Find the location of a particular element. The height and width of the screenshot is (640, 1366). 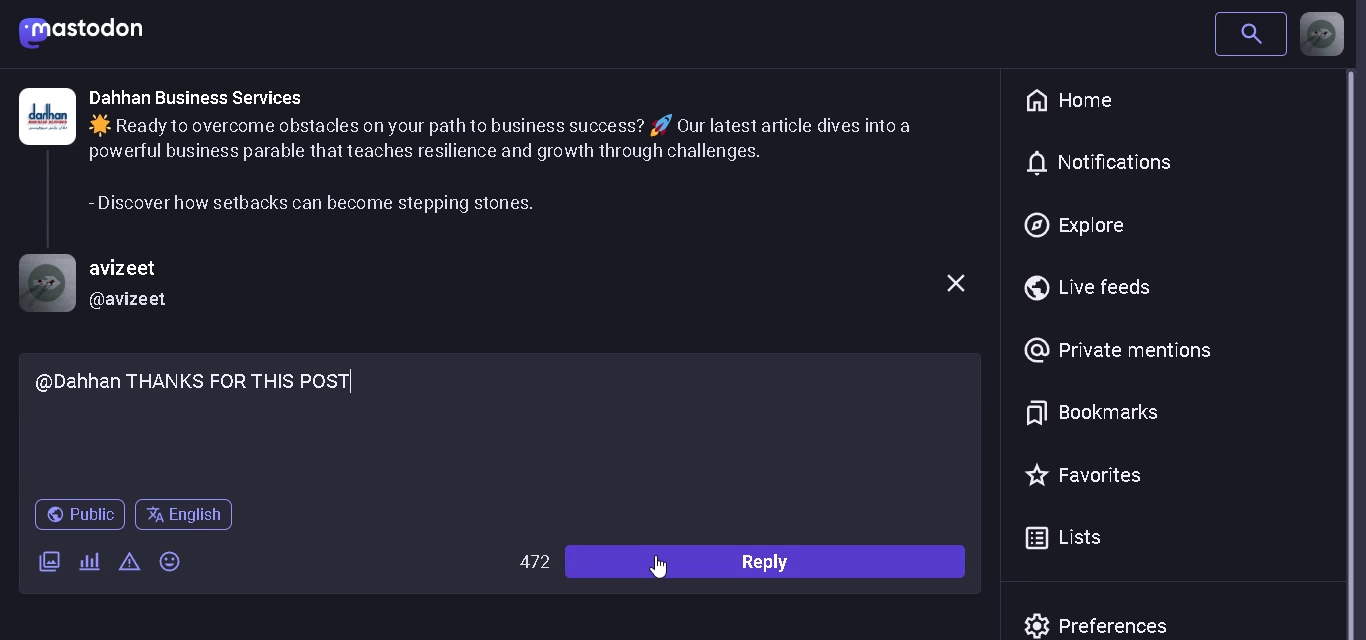

close comment box is located at coordinates (953, 285).